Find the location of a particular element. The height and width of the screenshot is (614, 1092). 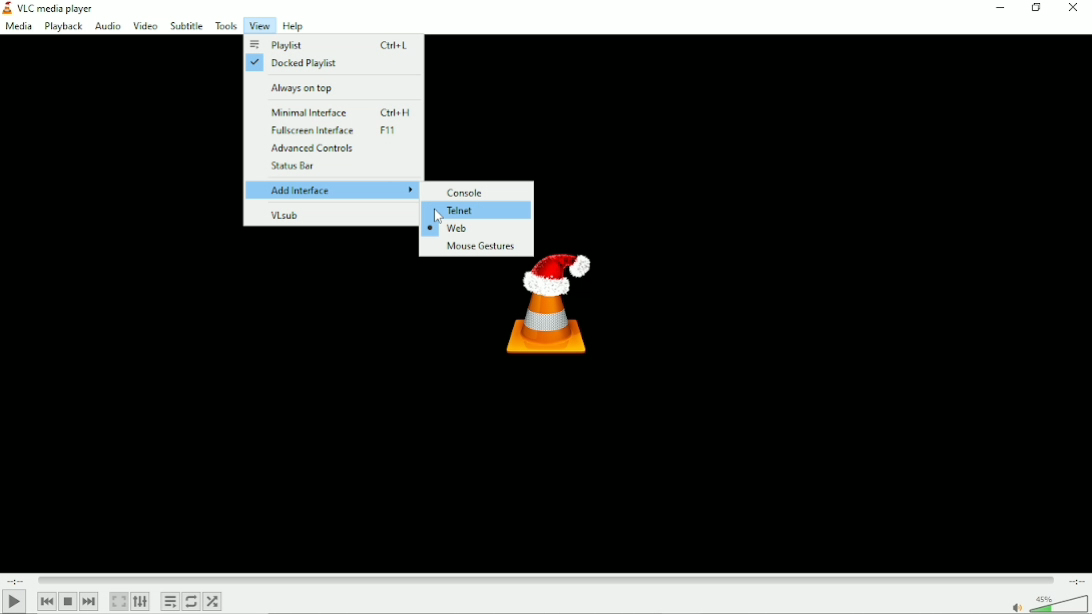

Toggle between loop all, loop one and no loop is located at coordinates (191, 601).